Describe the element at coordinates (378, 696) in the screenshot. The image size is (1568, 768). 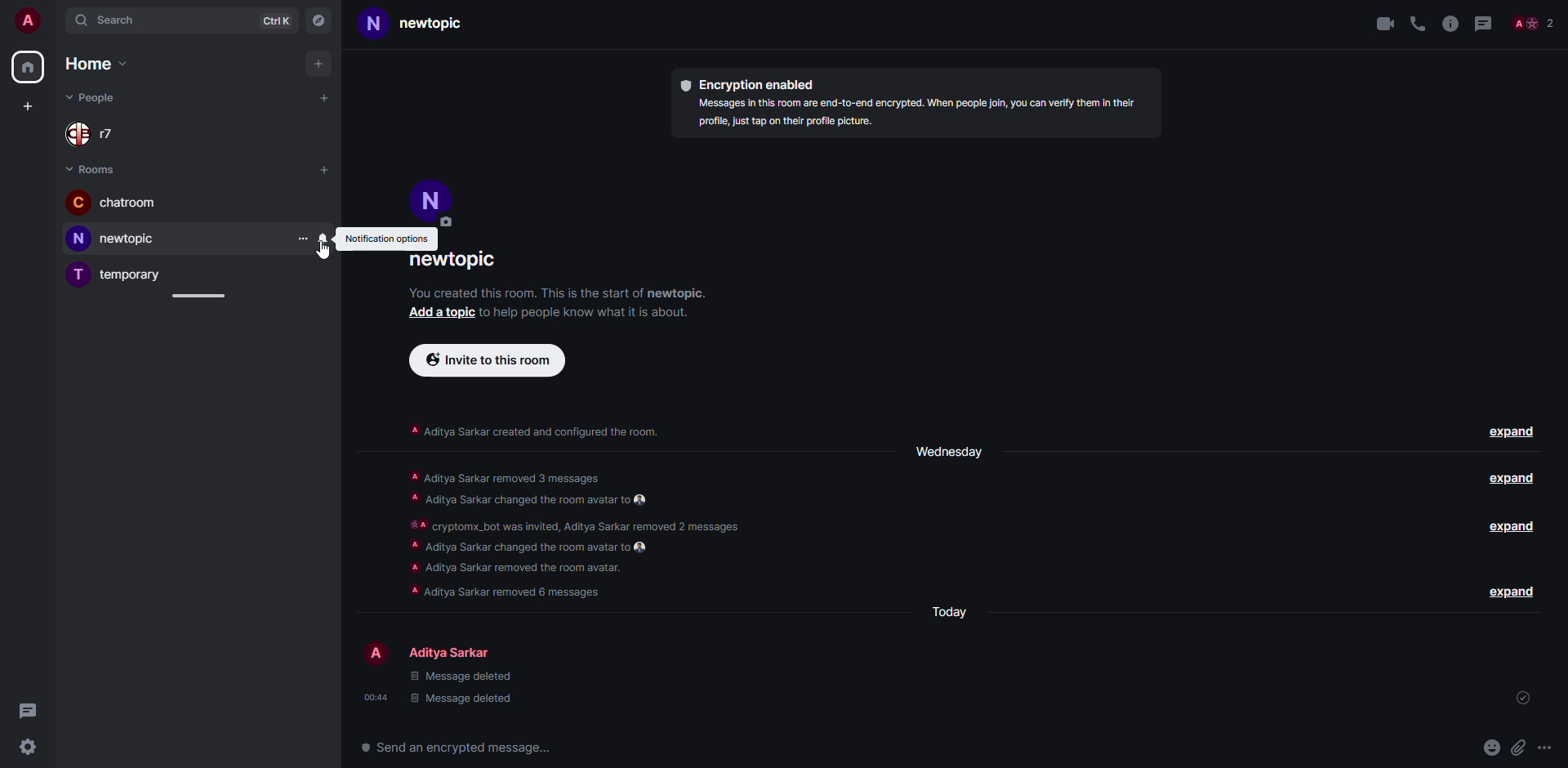
I see `time` at that location.